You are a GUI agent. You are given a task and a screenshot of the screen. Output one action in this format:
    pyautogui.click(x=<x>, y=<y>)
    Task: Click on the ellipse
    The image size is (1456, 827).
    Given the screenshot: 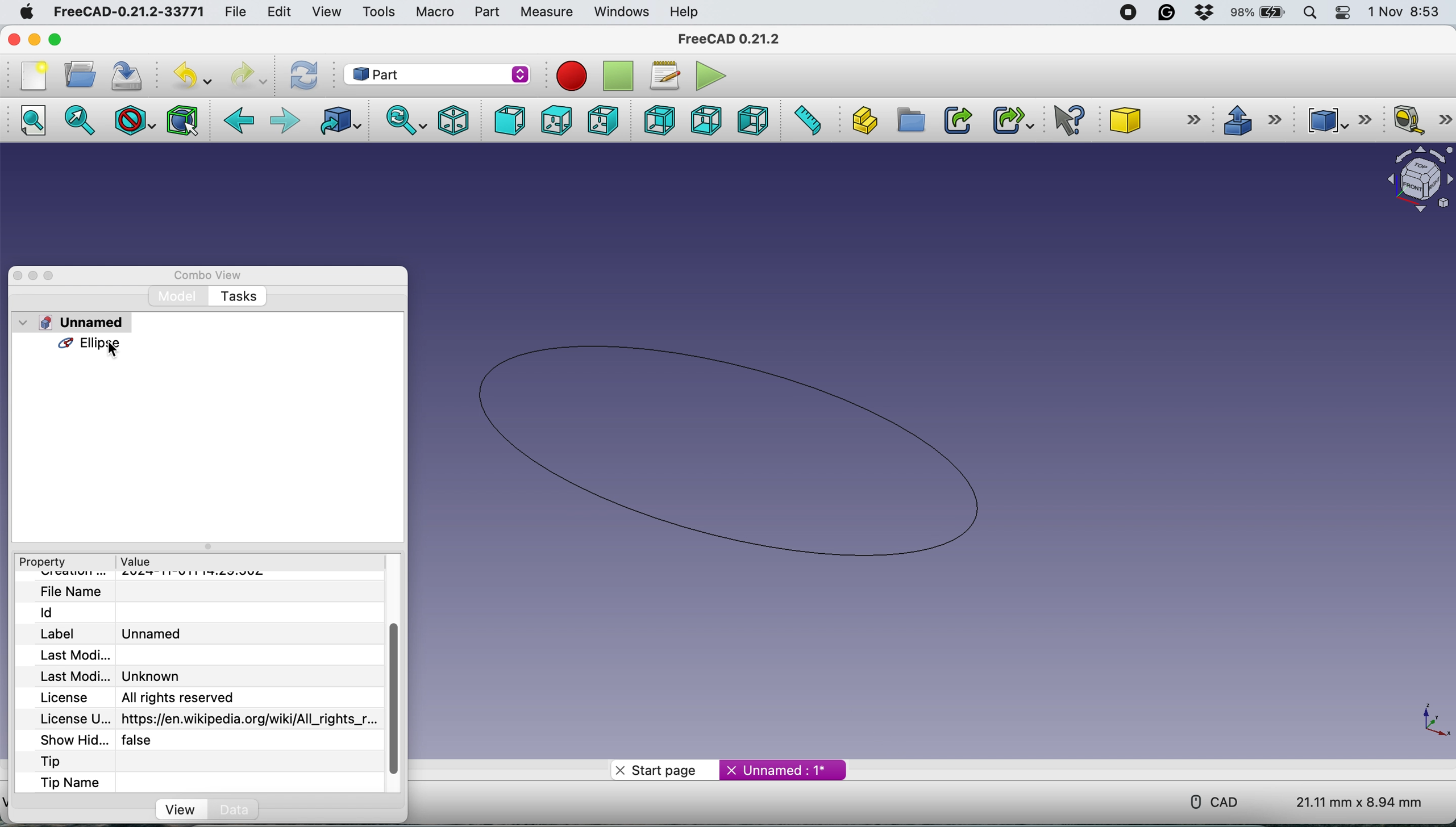 What is the action you would take?
    pyautogui.click(x=115, y=350)
    